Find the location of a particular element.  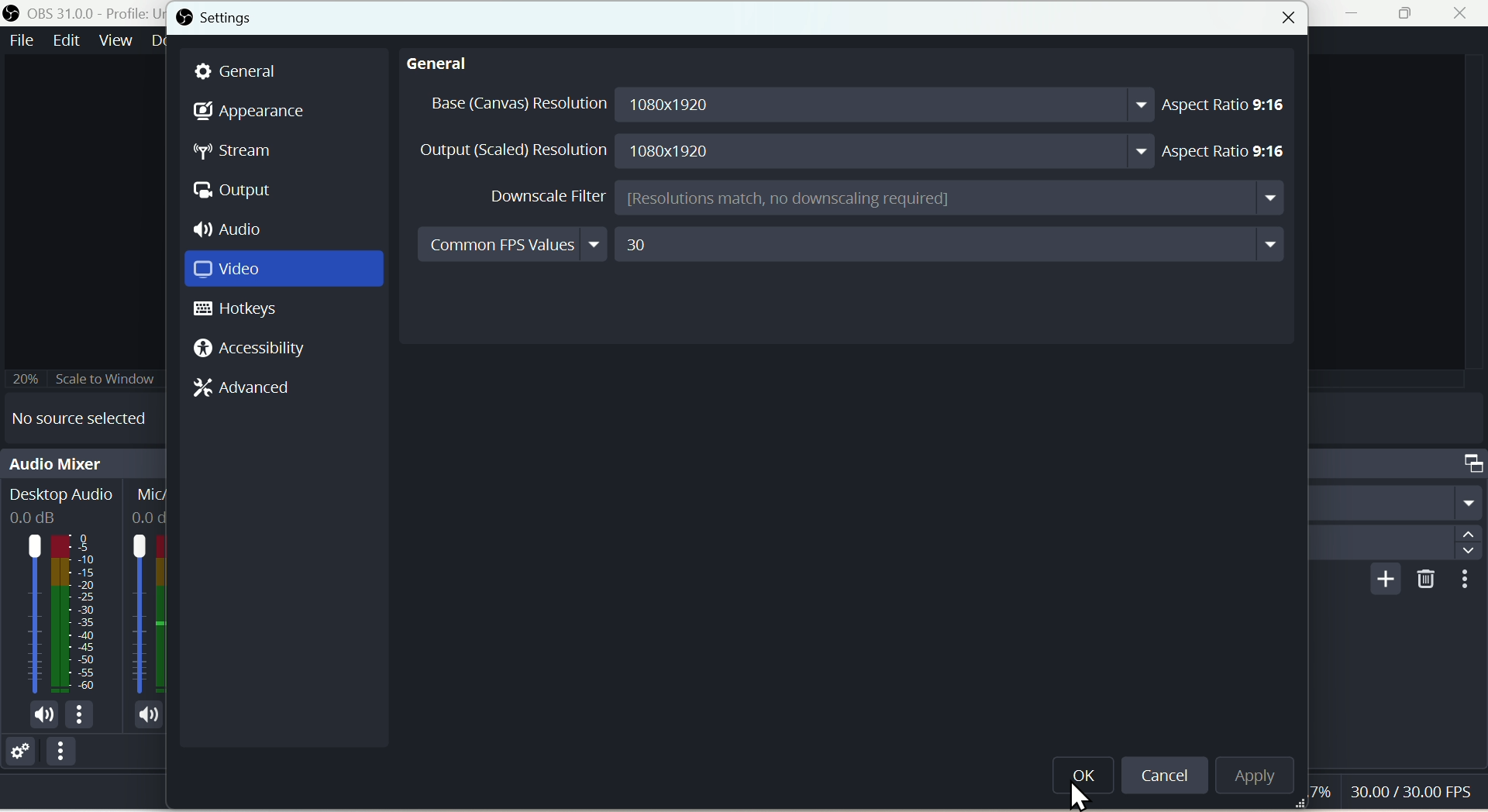

Common FPS values is located at coordinates (853, 245).